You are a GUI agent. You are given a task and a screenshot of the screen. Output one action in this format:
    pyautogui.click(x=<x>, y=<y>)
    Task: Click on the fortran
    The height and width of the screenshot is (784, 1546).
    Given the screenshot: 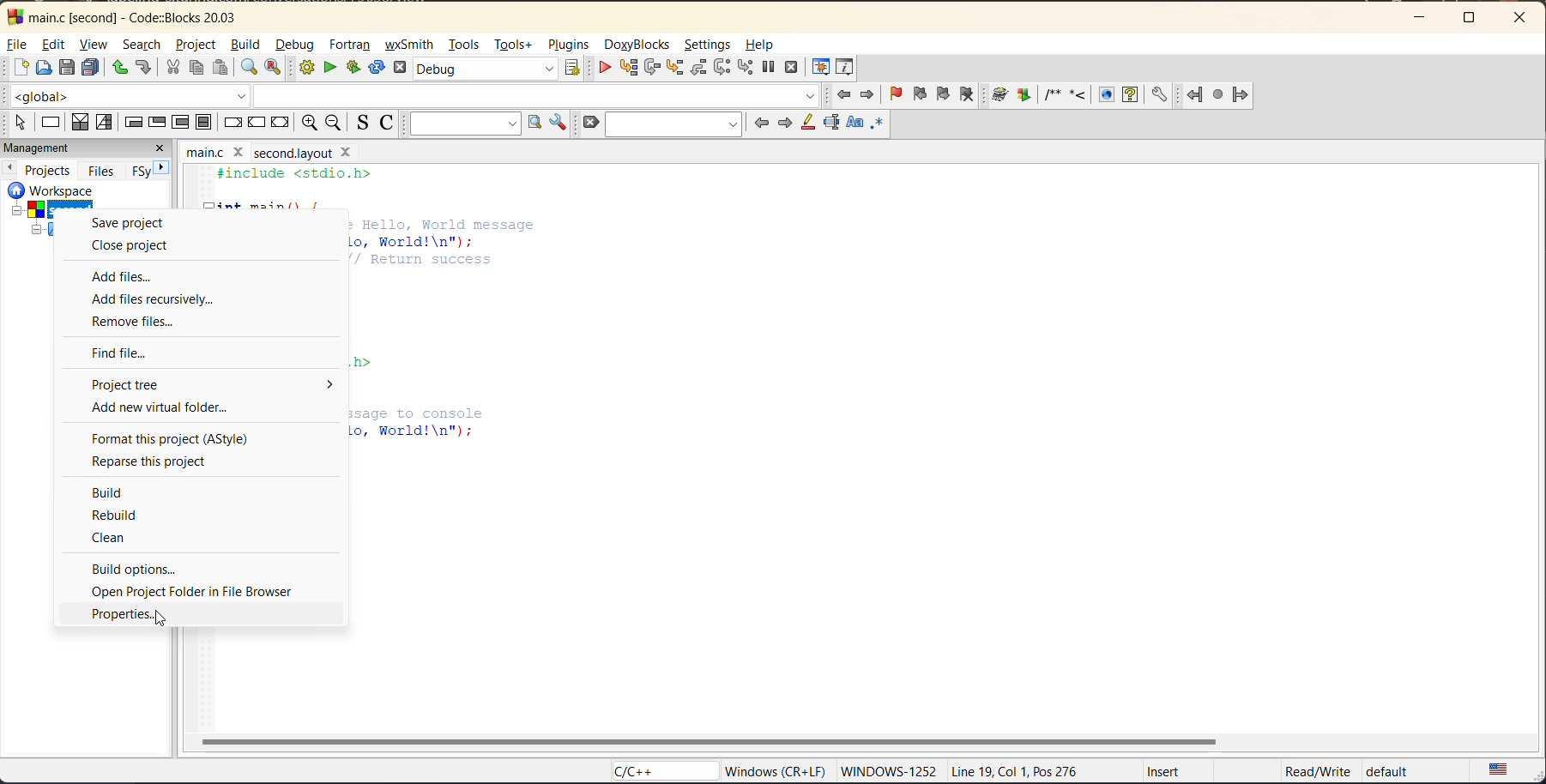 What is the action you would take?
    pyautogui.click(x=1217, y=94)
    